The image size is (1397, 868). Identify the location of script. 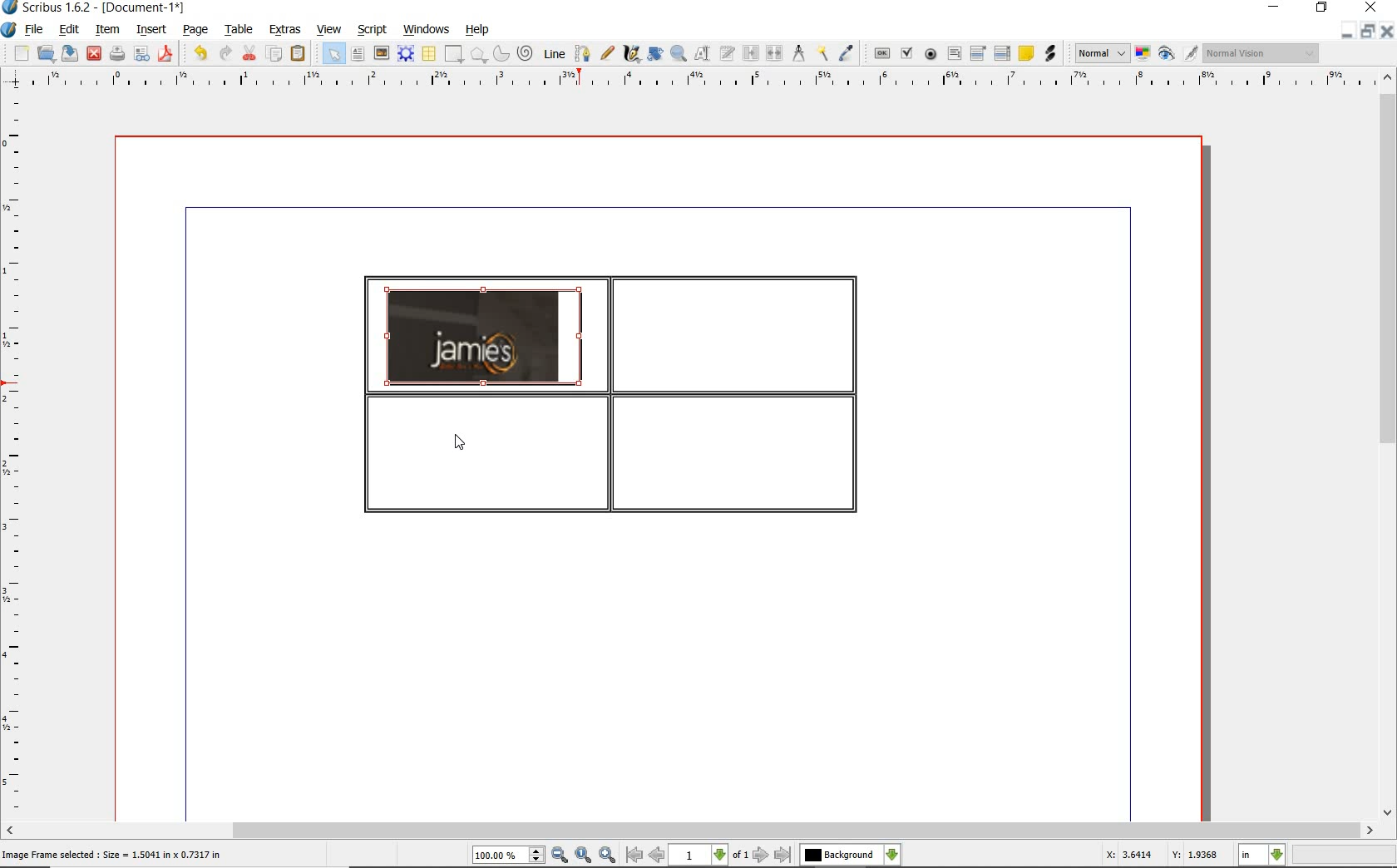
(373, 30).